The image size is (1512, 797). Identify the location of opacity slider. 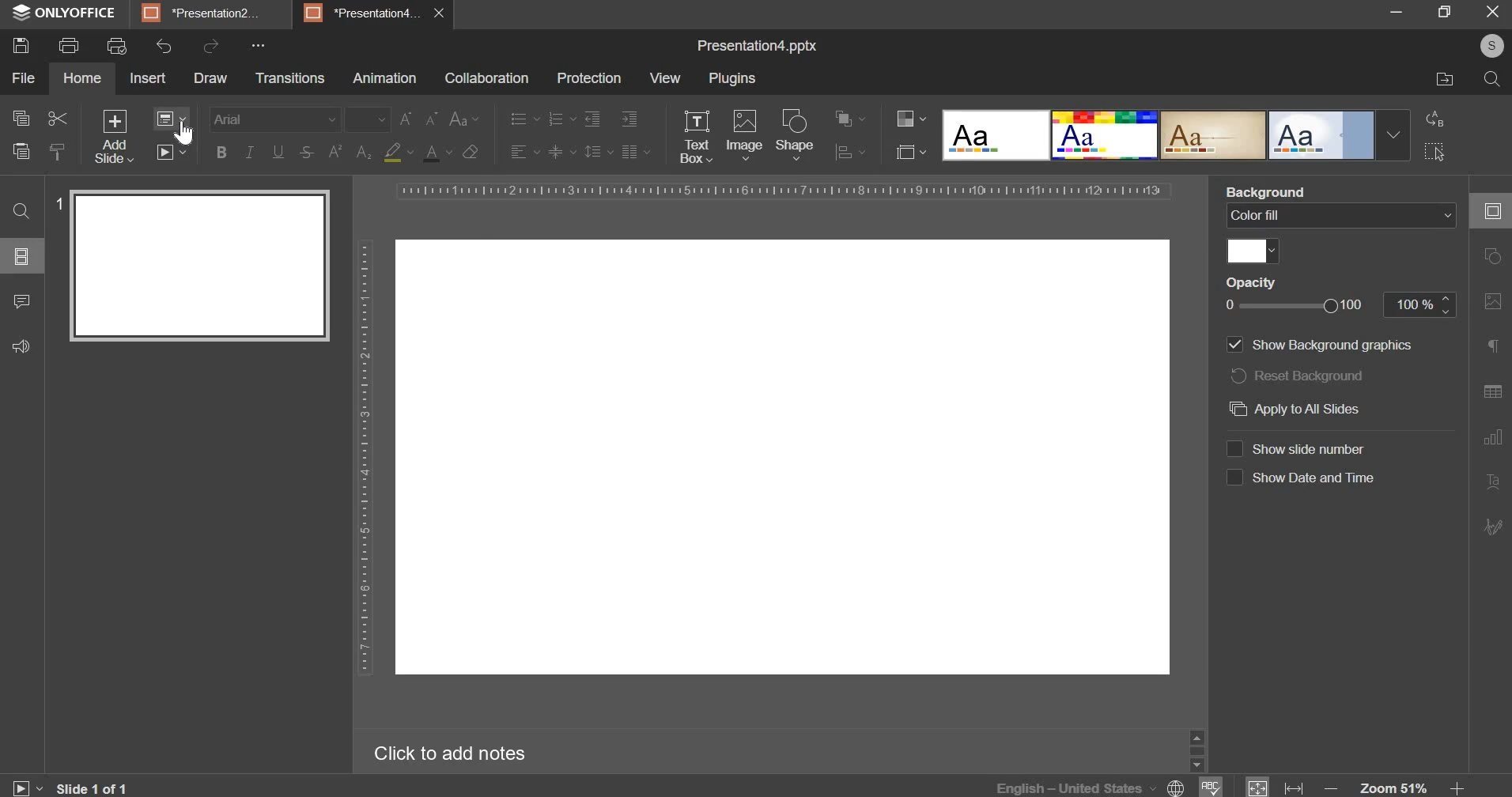
(1297, 306).